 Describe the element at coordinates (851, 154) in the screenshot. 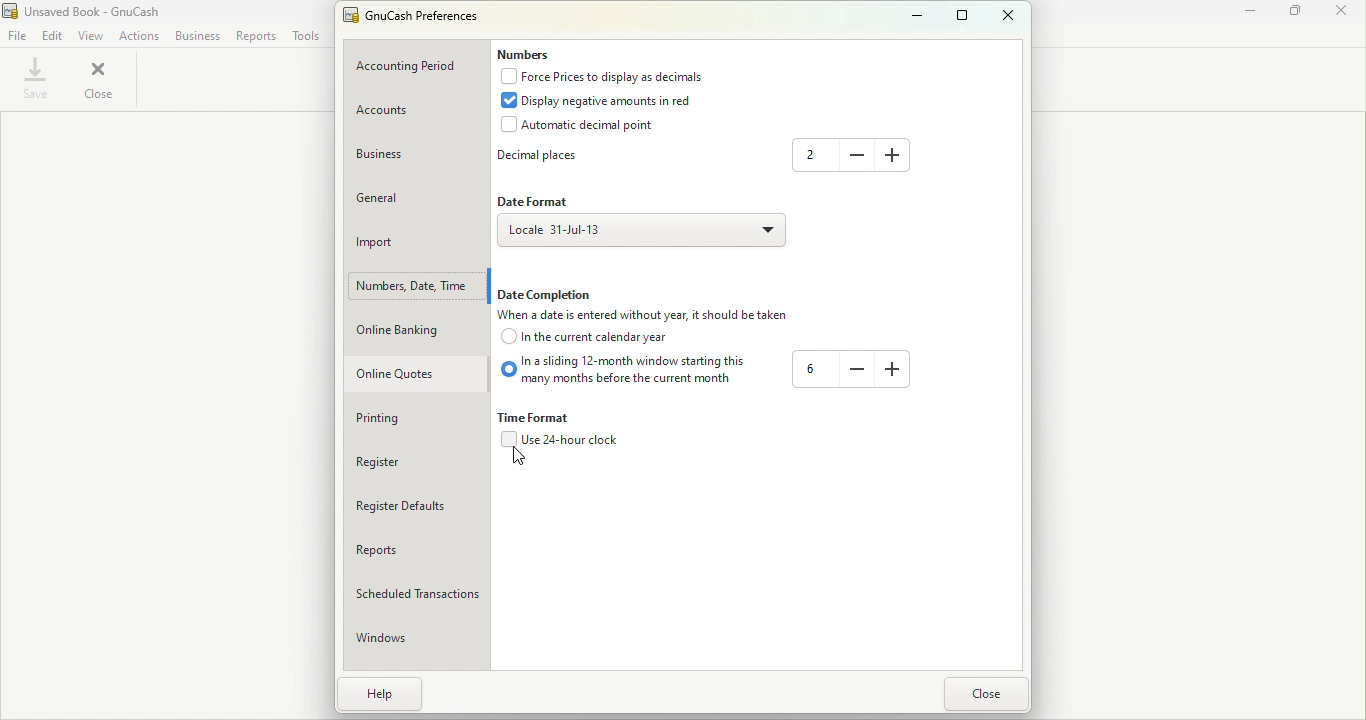

I see `-` at that location.